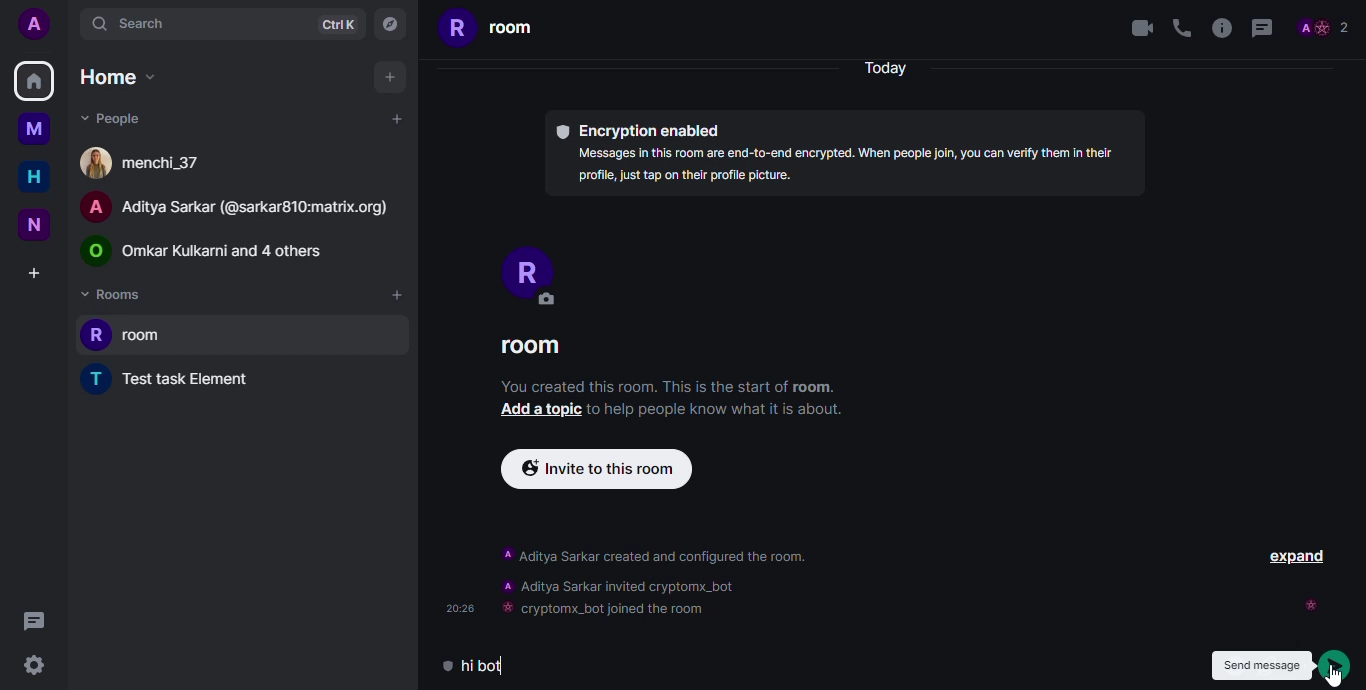  I want to click on room, so click(504, 30).